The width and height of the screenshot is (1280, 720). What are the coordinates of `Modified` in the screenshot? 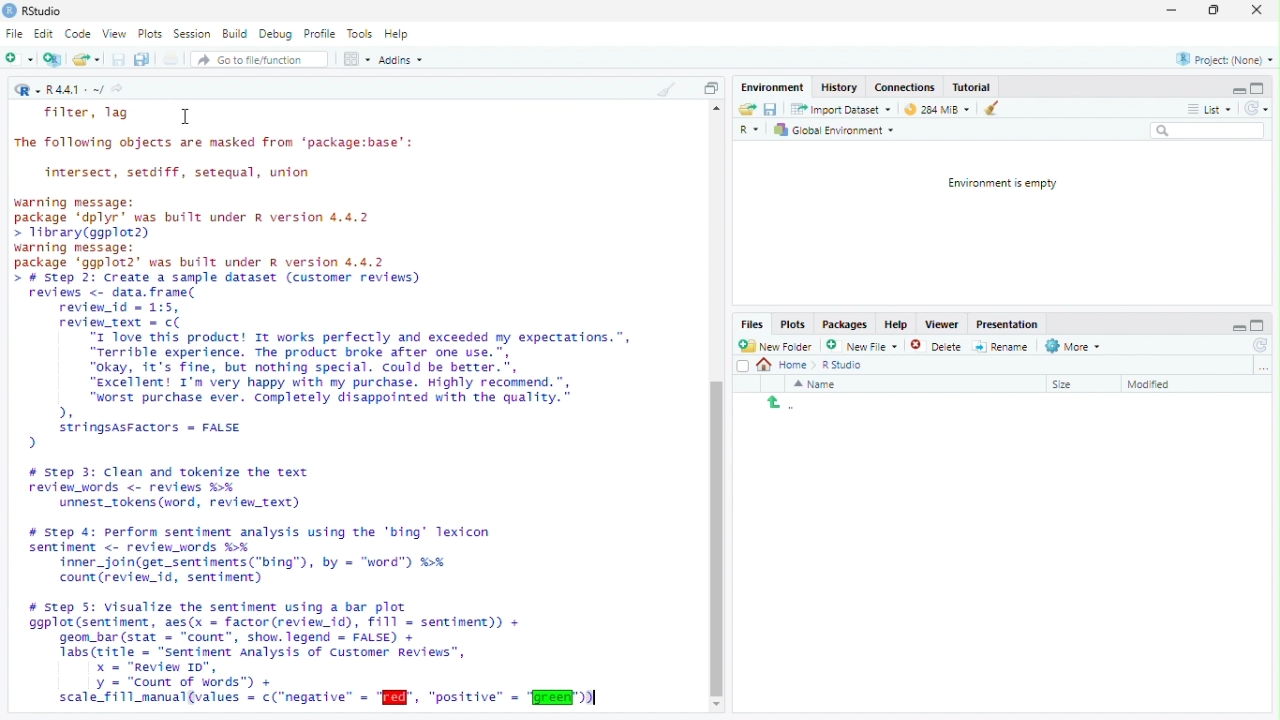 It's located at (1153, 385).